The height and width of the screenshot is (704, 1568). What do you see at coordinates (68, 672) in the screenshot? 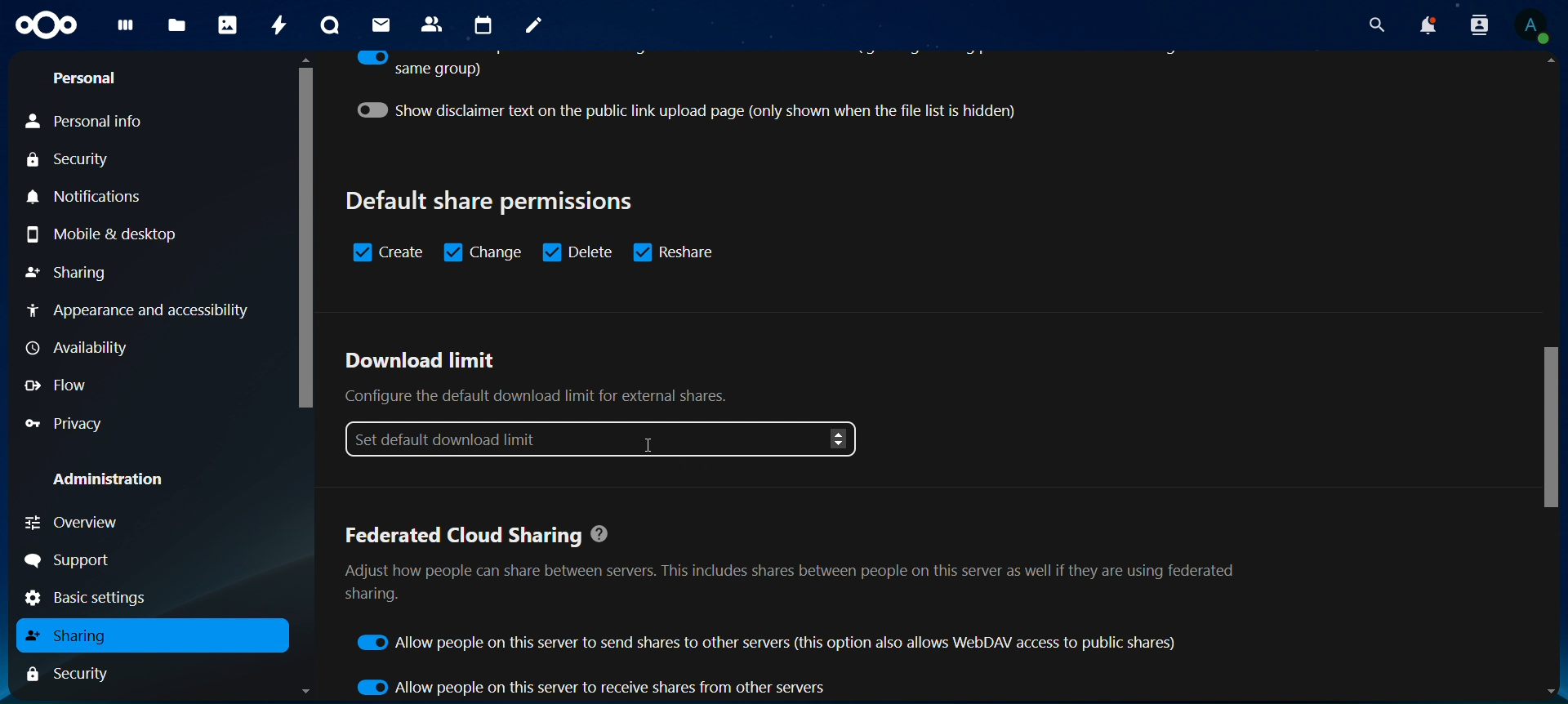
I see `security` at bounding box center [68, 672].